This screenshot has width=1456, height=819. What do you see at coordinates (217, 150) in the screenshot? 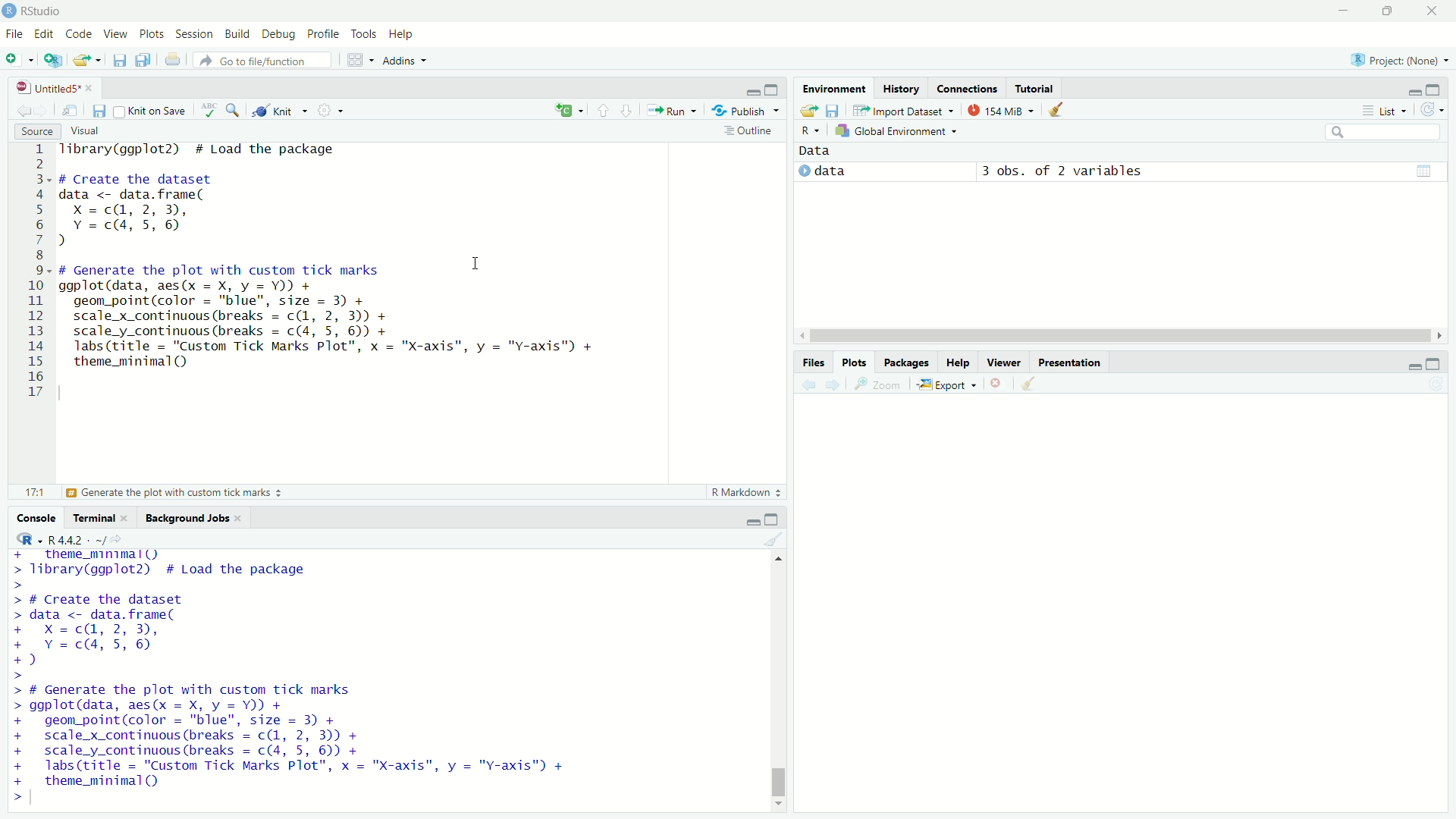
I see `library to load the package` at bounding box center [217, 150].